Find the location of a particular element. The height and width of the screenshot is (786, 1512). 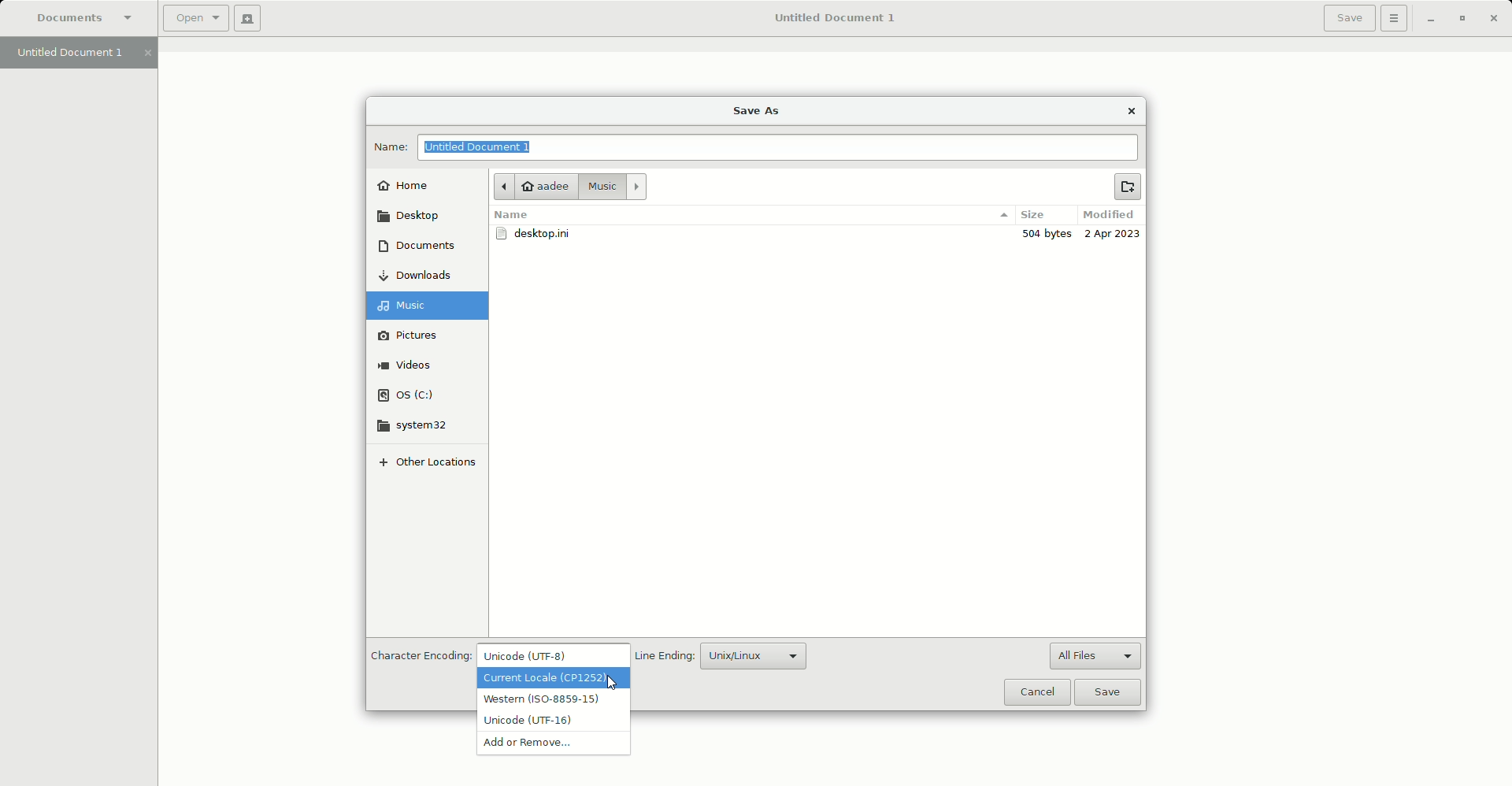

desktop.ini is located at coordinates (536, 235).